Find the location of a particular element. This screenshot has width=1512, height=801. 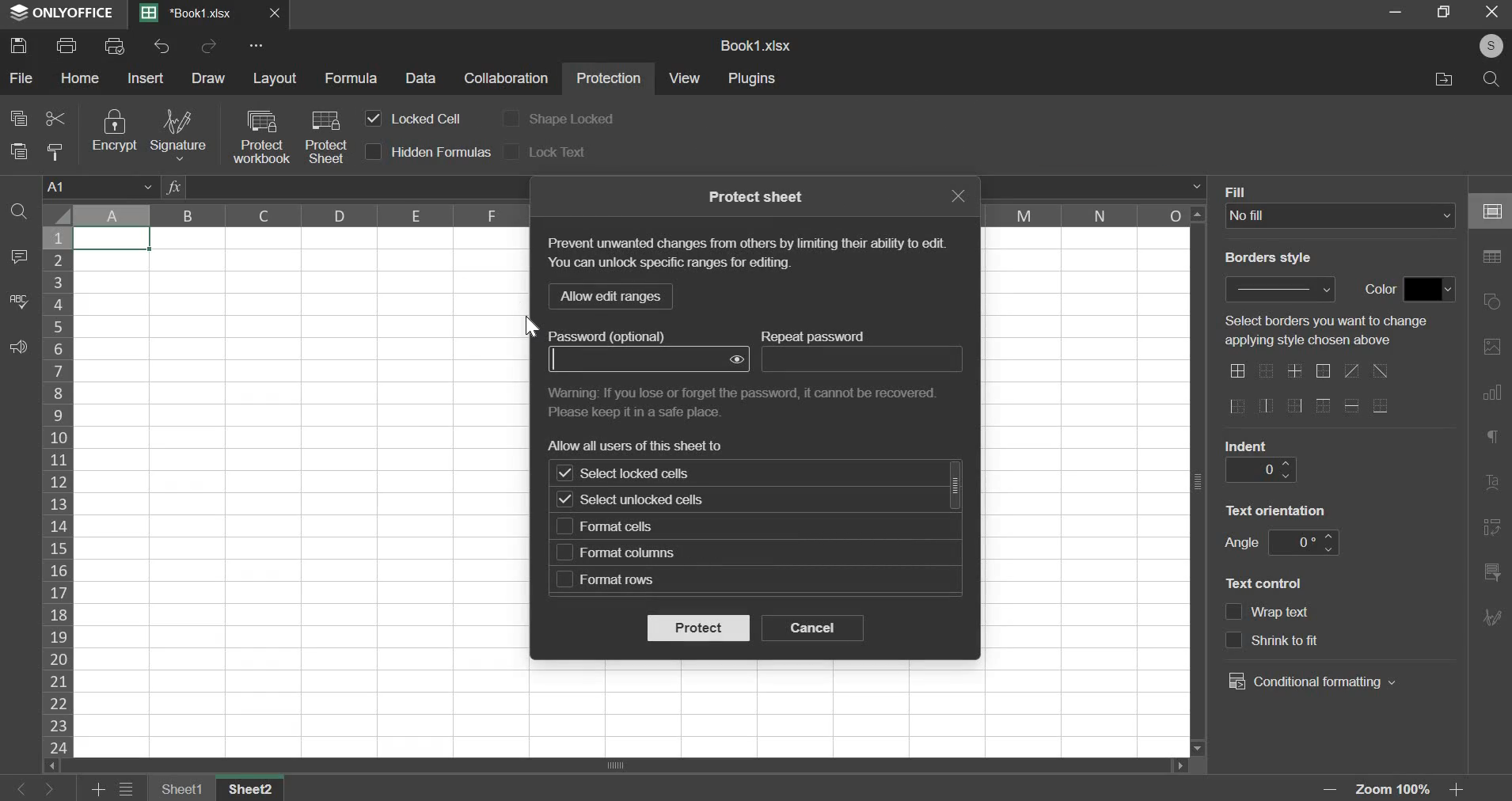

selected cell is located at coordinates (112, 239).